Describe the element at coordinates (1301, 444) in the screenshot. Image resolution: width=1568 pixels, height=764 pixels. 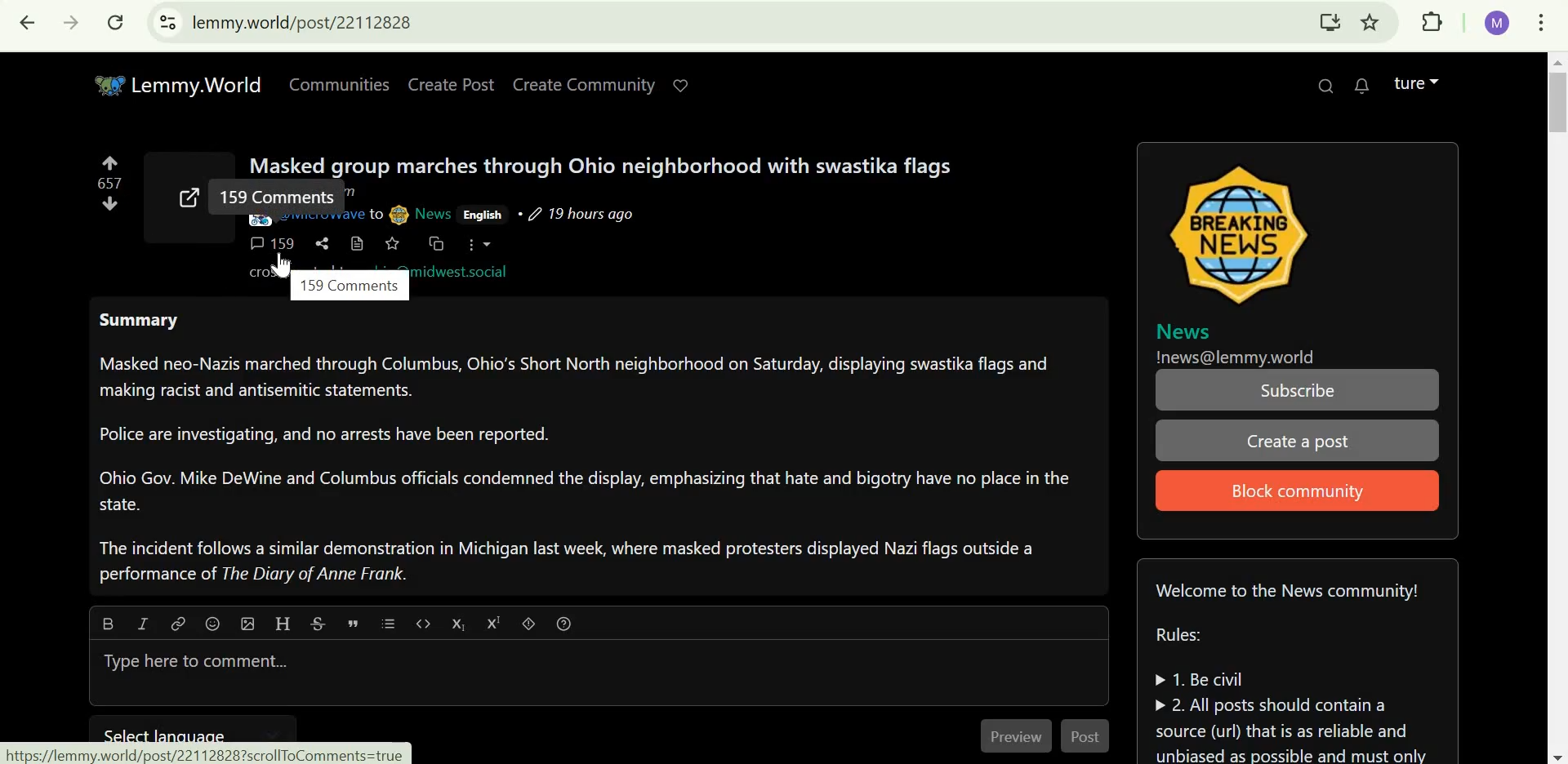
I see `Create a post` at that location.